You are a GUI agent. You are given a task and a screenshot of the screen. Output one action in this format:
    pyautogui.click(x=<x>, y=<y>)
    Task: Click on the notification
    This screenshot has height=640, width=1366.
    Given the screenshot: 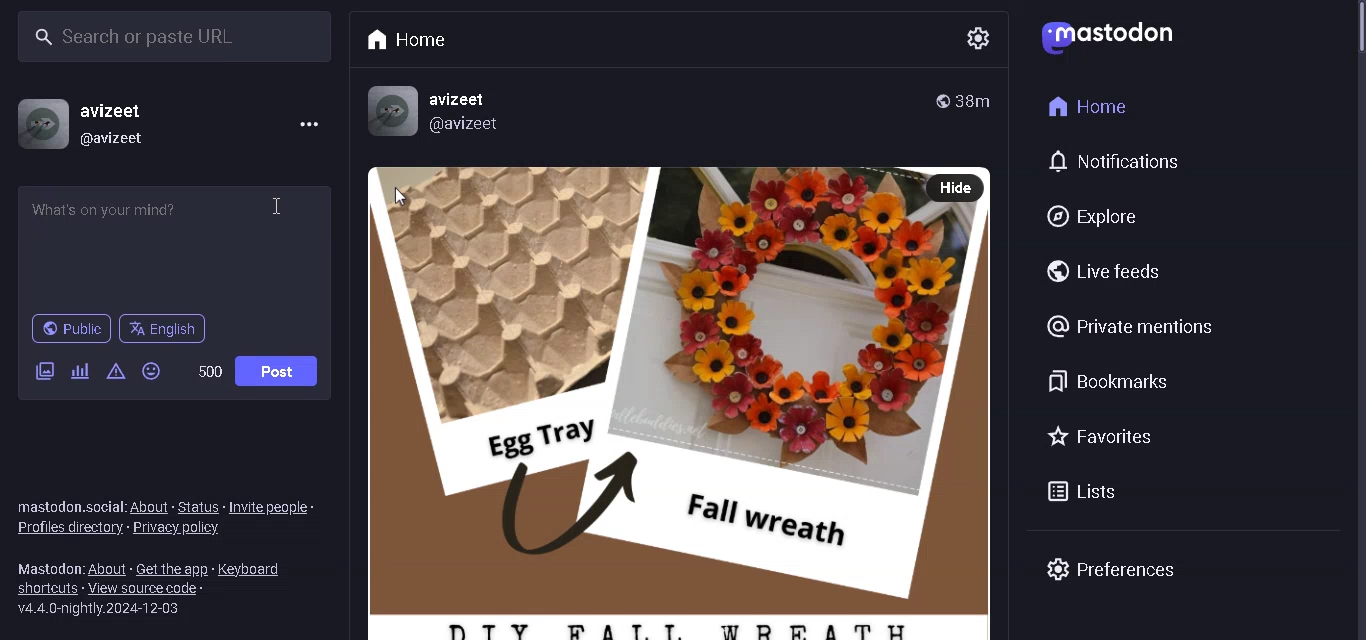 What is the action you would take?
    pyautogui.click(x=1119, y=163)
    